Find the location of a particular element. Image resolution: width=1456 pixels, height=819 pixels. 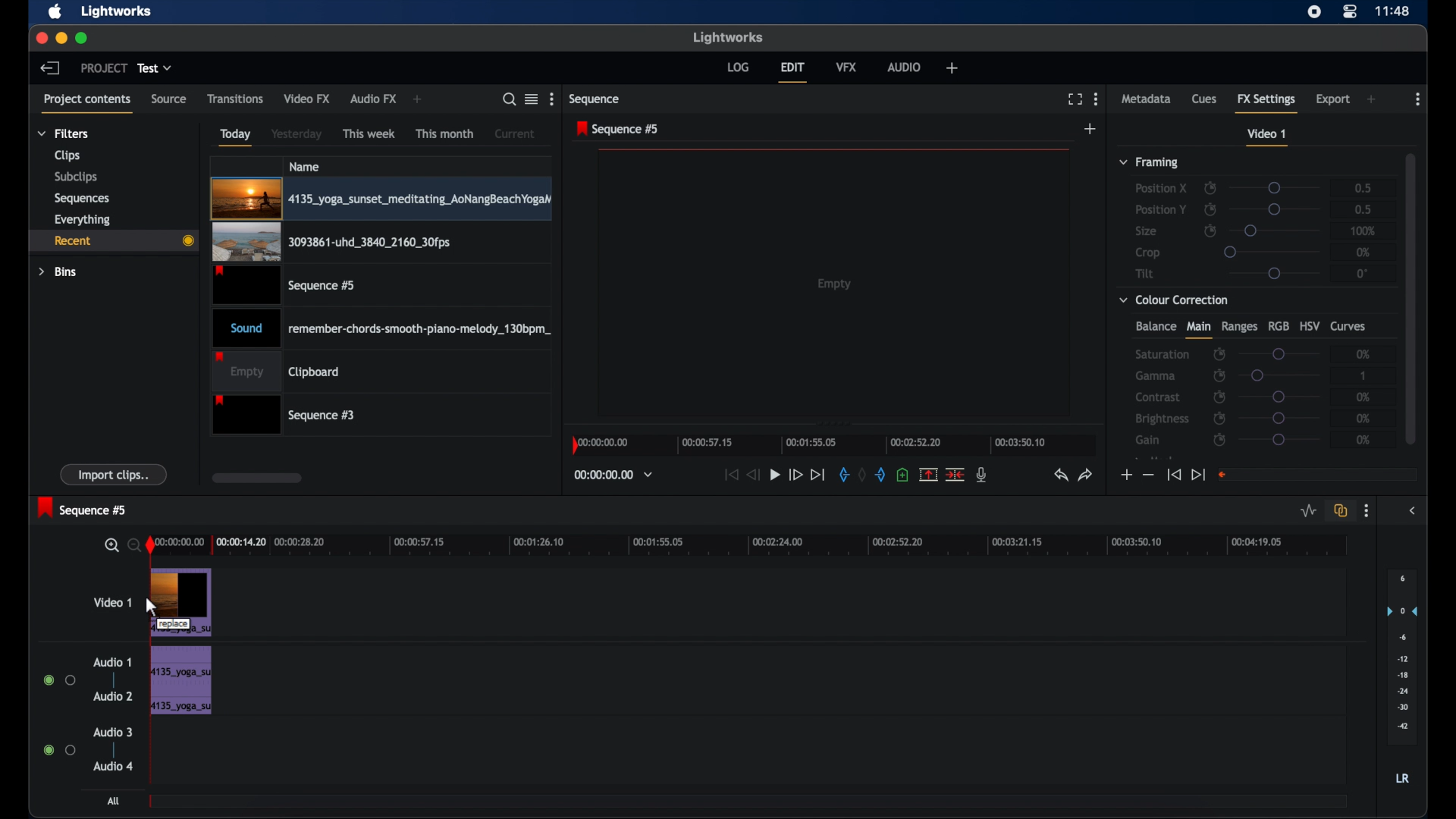

video fx is located at coordinates (308, 99).